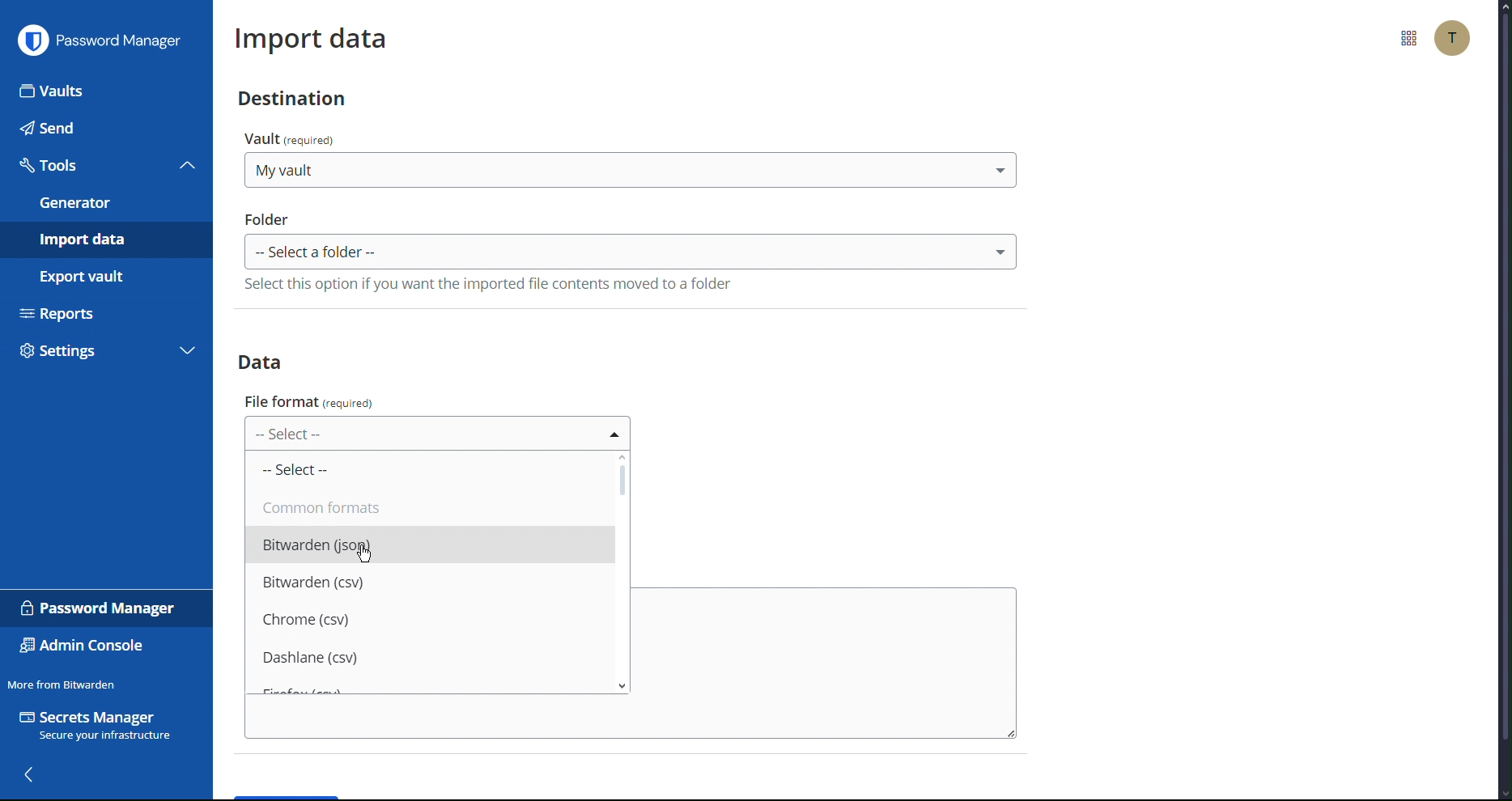 Image resolution: width=1512 pixels, height=801 pixels. What do you see at coordinates (631, 719) in the screenshot?
I see `copy/paste the import file contents` at bounding box center [631, 719].